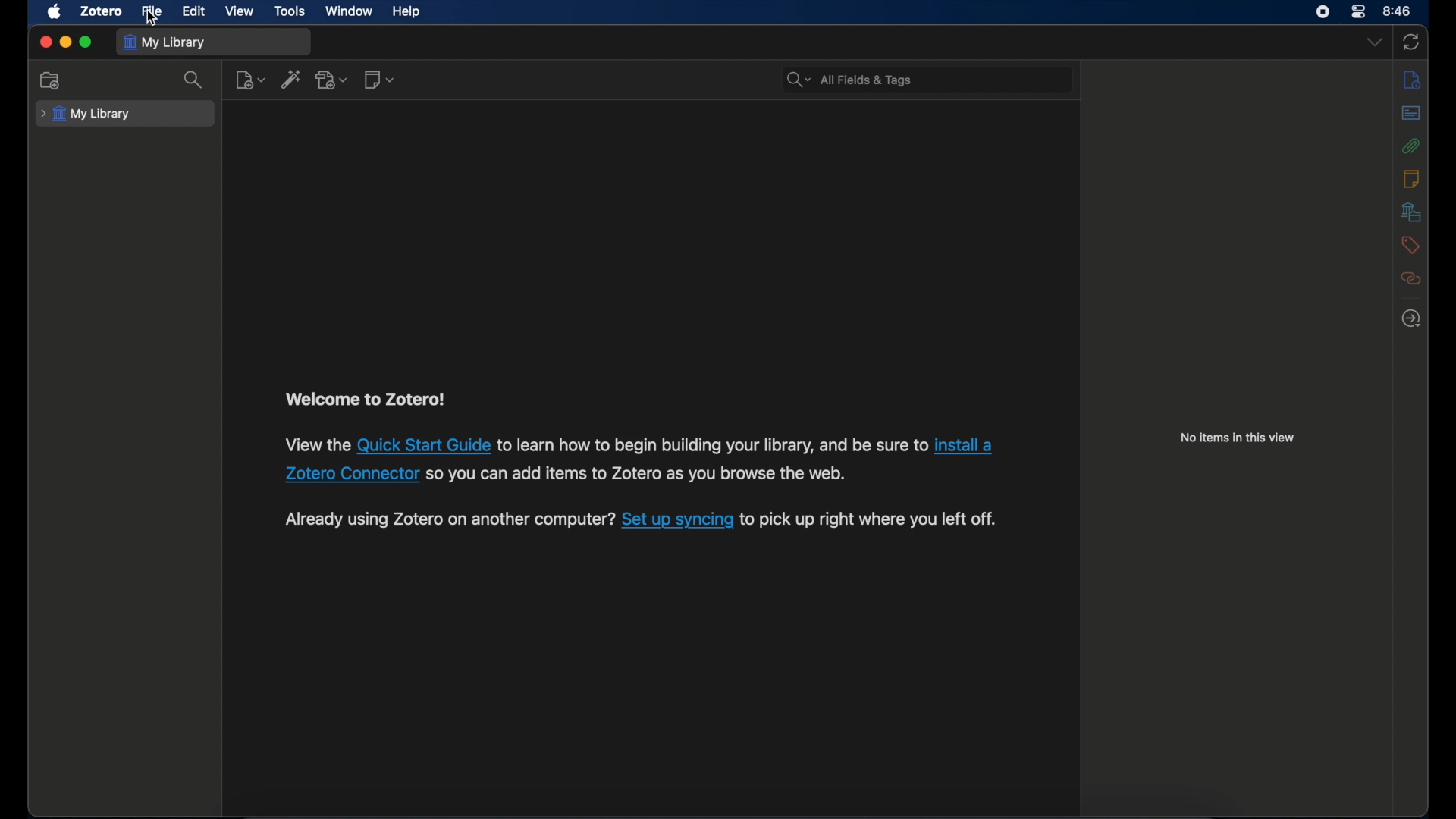 The width and height of the screenshot is (1456, 819). What do you see at coordinates (639, 475) in the screenshot?
I see `View the Quick Start Guide to learn how to begin building your library, and be sure to install a
Zotero Connector so you can add items to Zotero as you browse the web.` at bounding box center [639, 475].